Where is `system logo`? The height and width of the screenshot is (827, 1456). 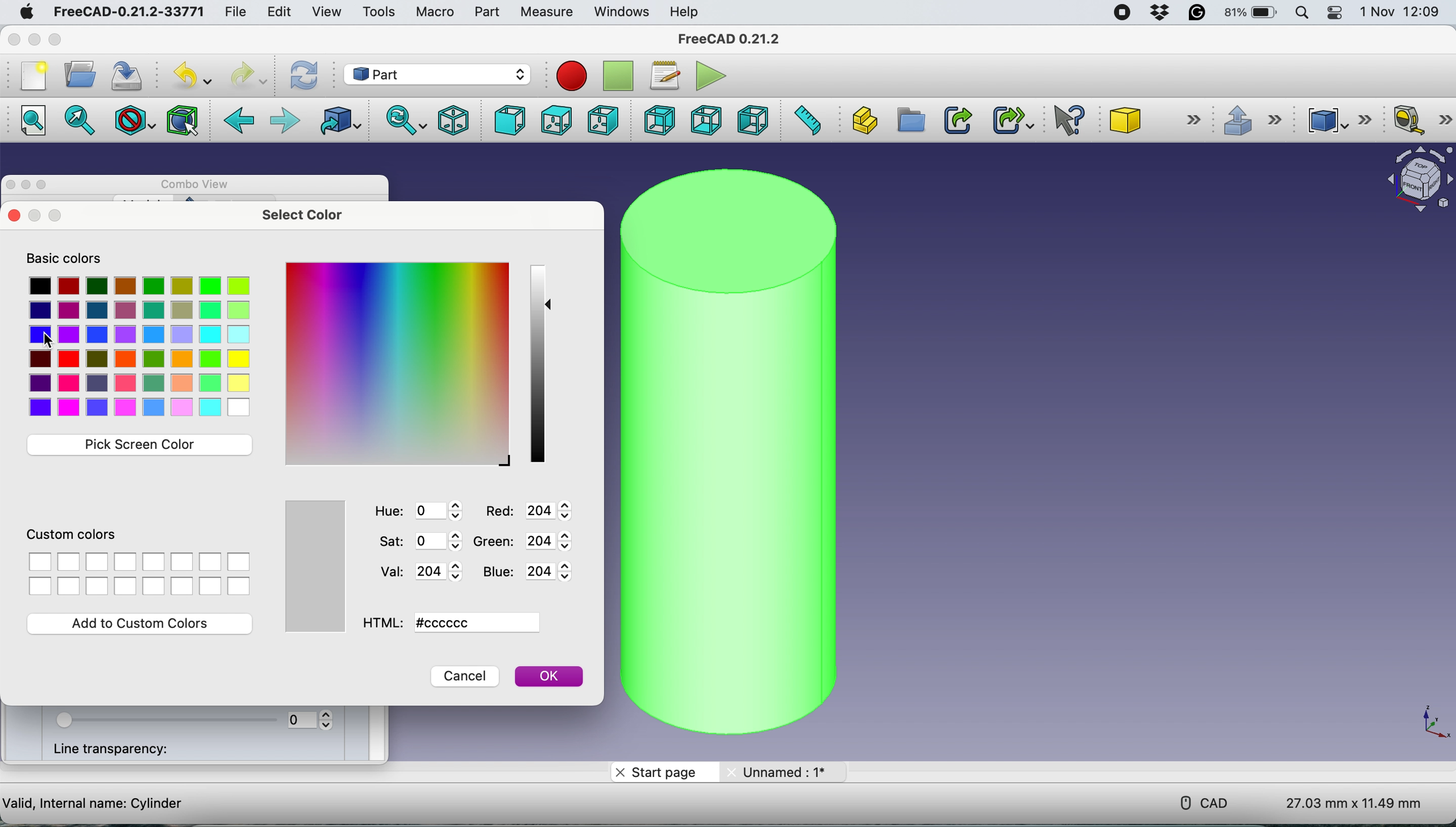 system logo is located at coordinates (28, 12).